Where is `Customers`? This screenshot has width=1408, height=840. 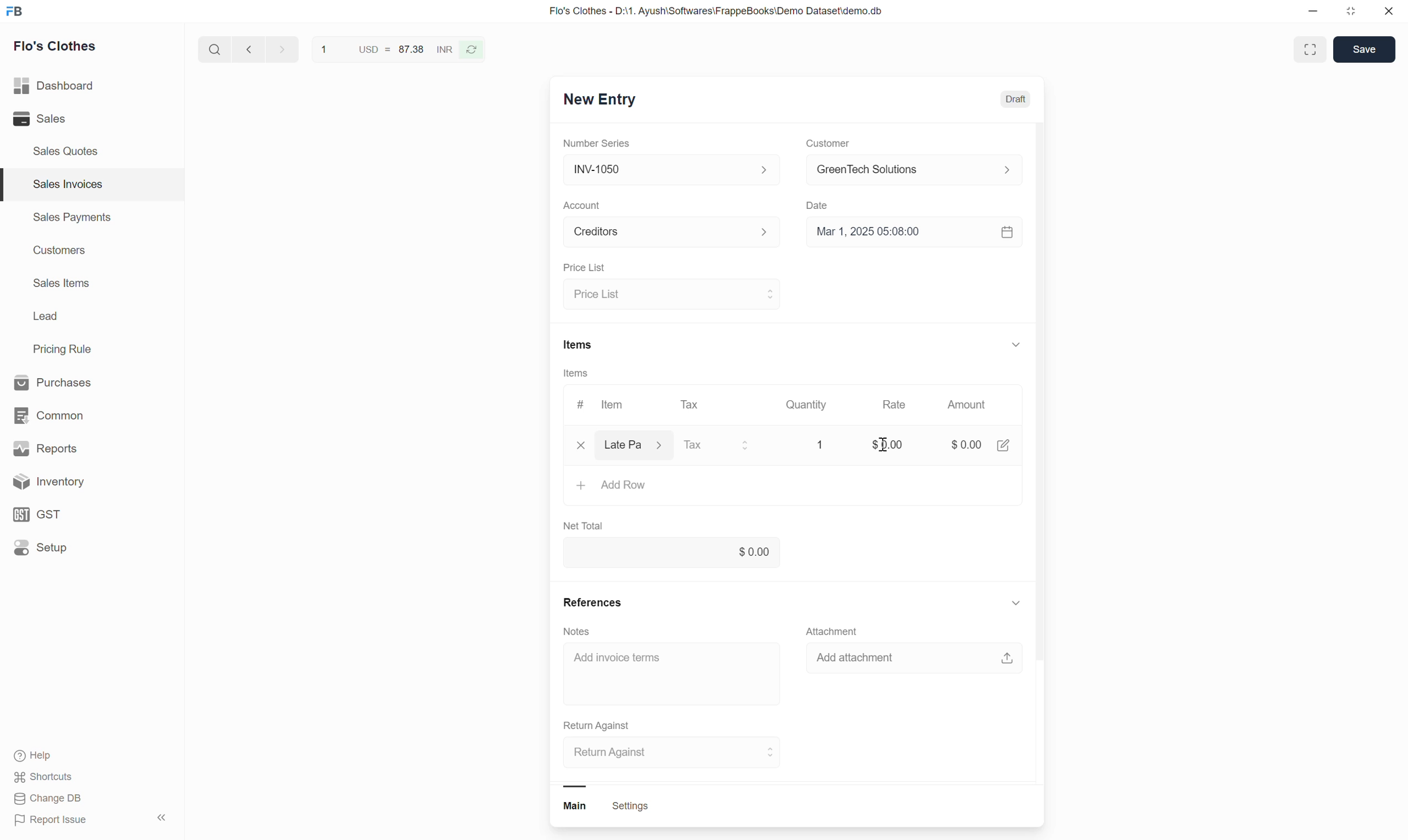
Customers is located at coordinates (58, 252).